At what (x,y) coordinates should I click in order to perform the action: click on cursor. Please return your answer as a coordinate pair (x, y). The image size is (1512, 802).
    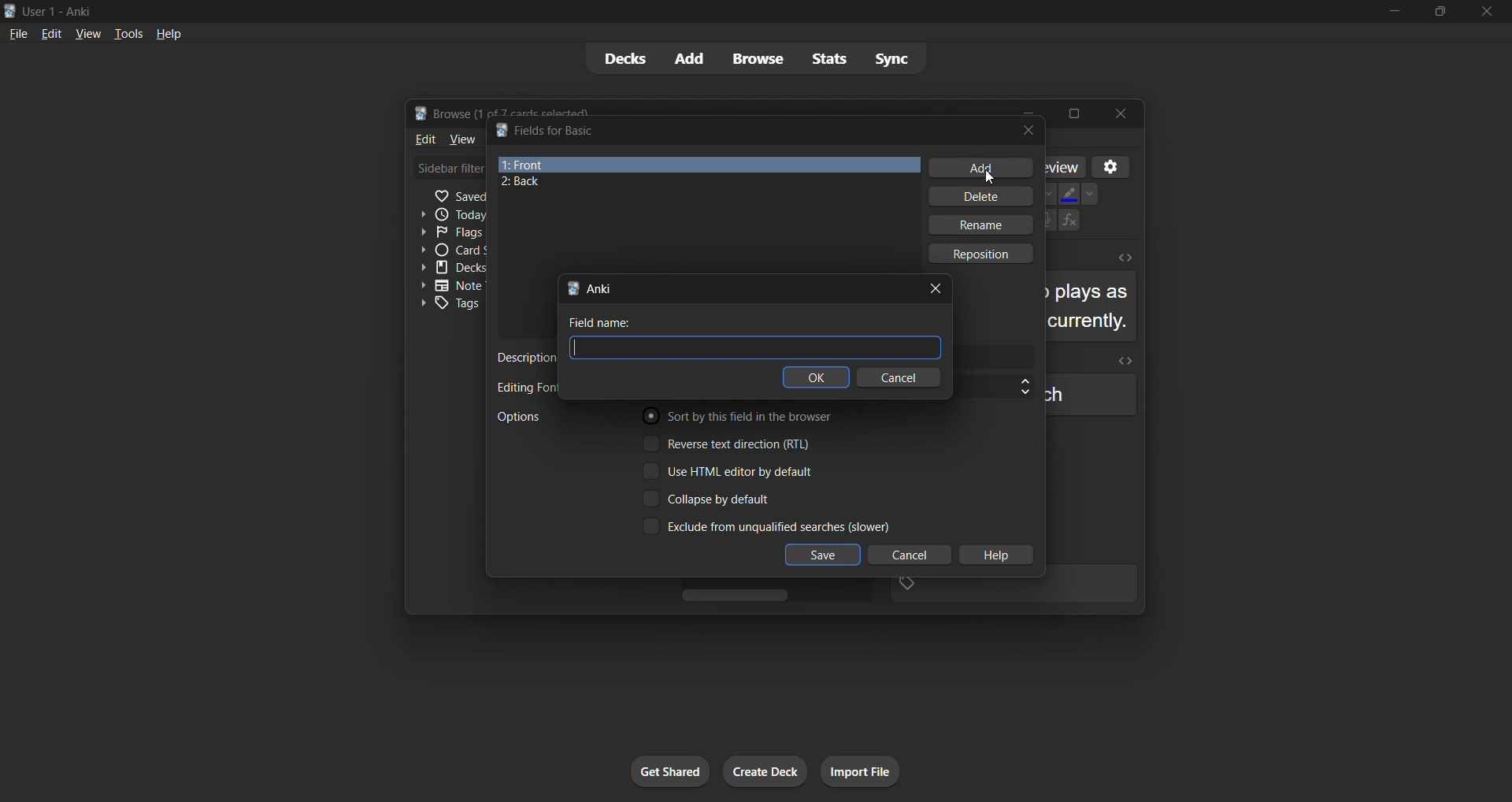
    Looking at the image, I should click on (995, 174).